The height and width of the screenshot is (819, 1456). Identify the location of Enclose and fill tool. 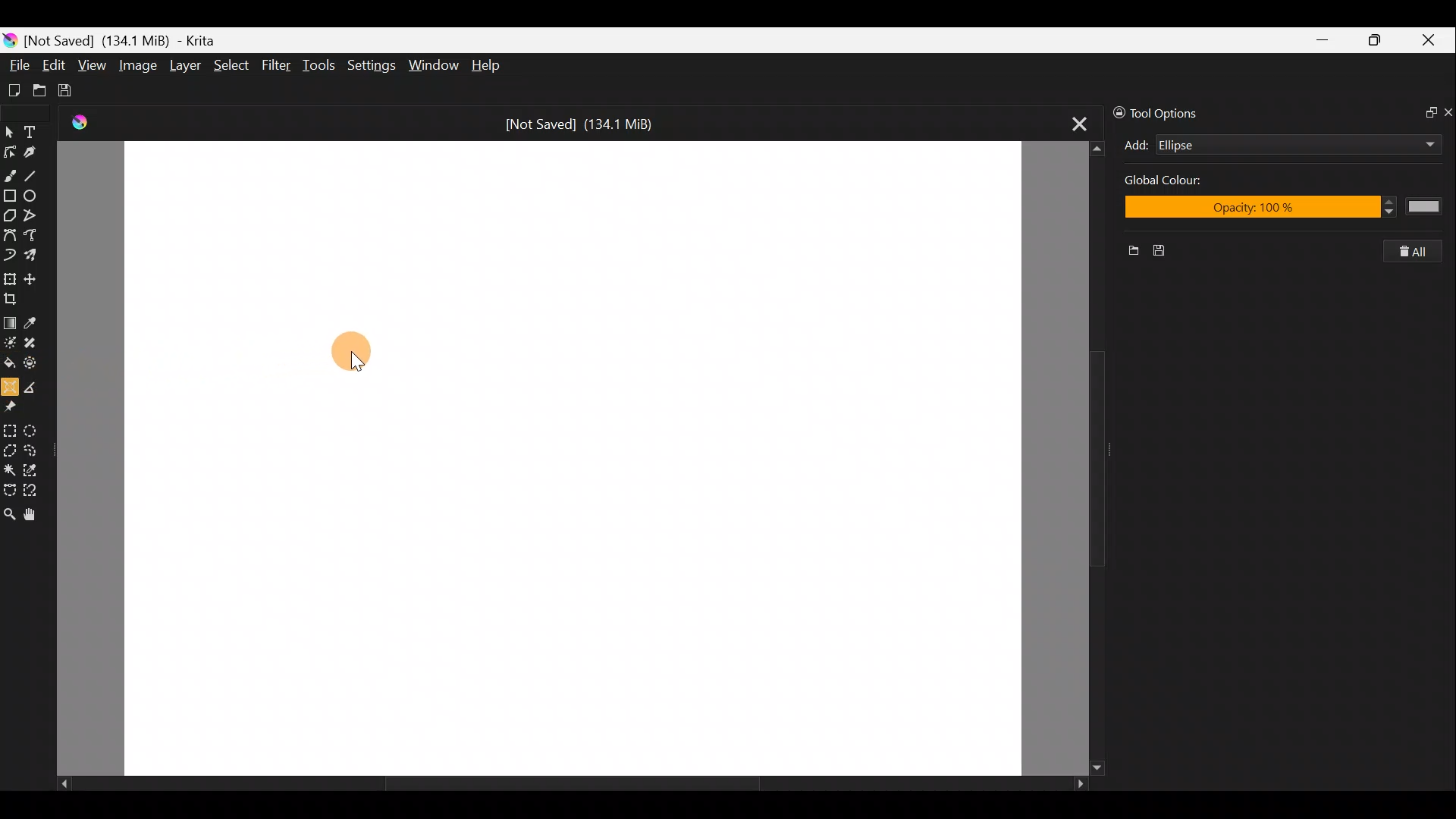
(37, 366).